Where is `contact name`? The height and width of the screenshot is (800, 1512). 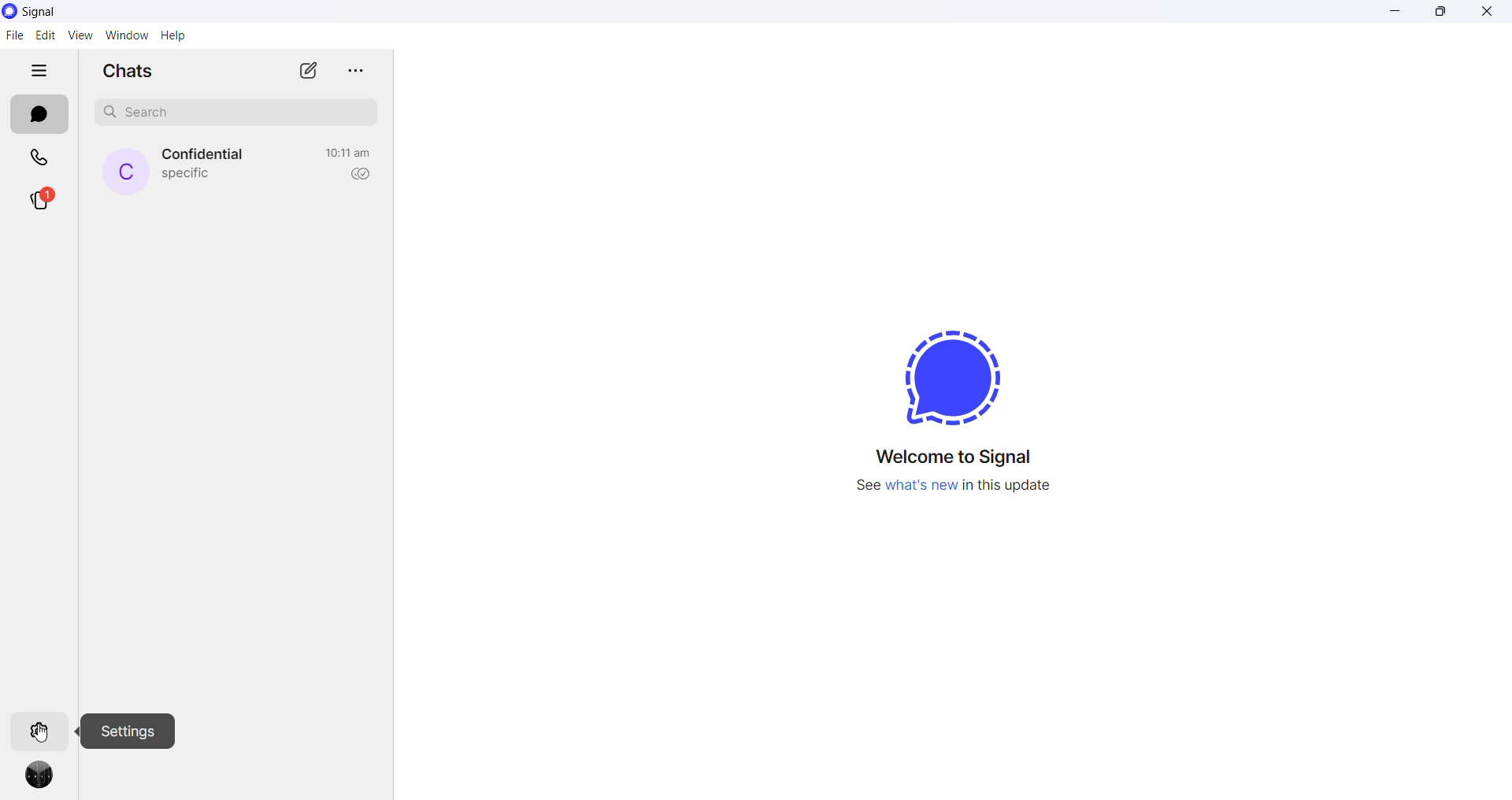
contact name is located at coordinates (206, 155).